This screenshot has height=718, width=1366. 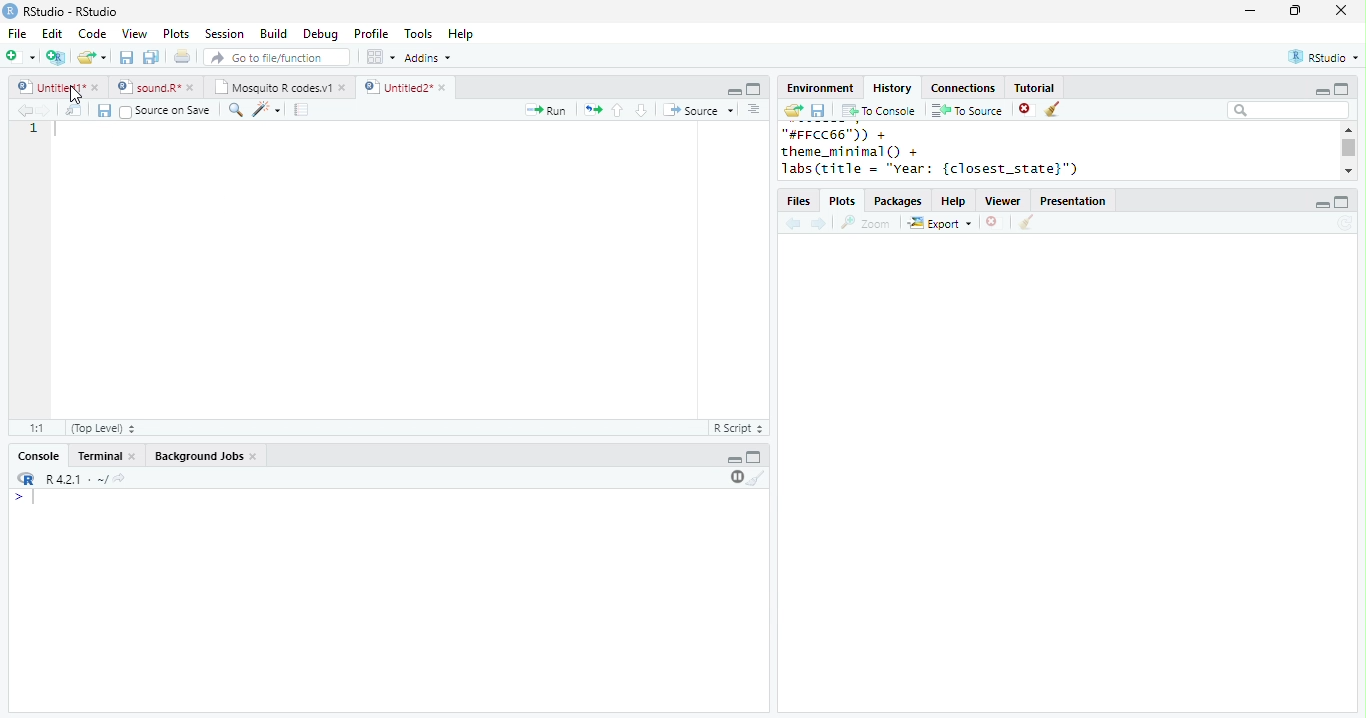 I want to click on run, so click(x=545, y=110).